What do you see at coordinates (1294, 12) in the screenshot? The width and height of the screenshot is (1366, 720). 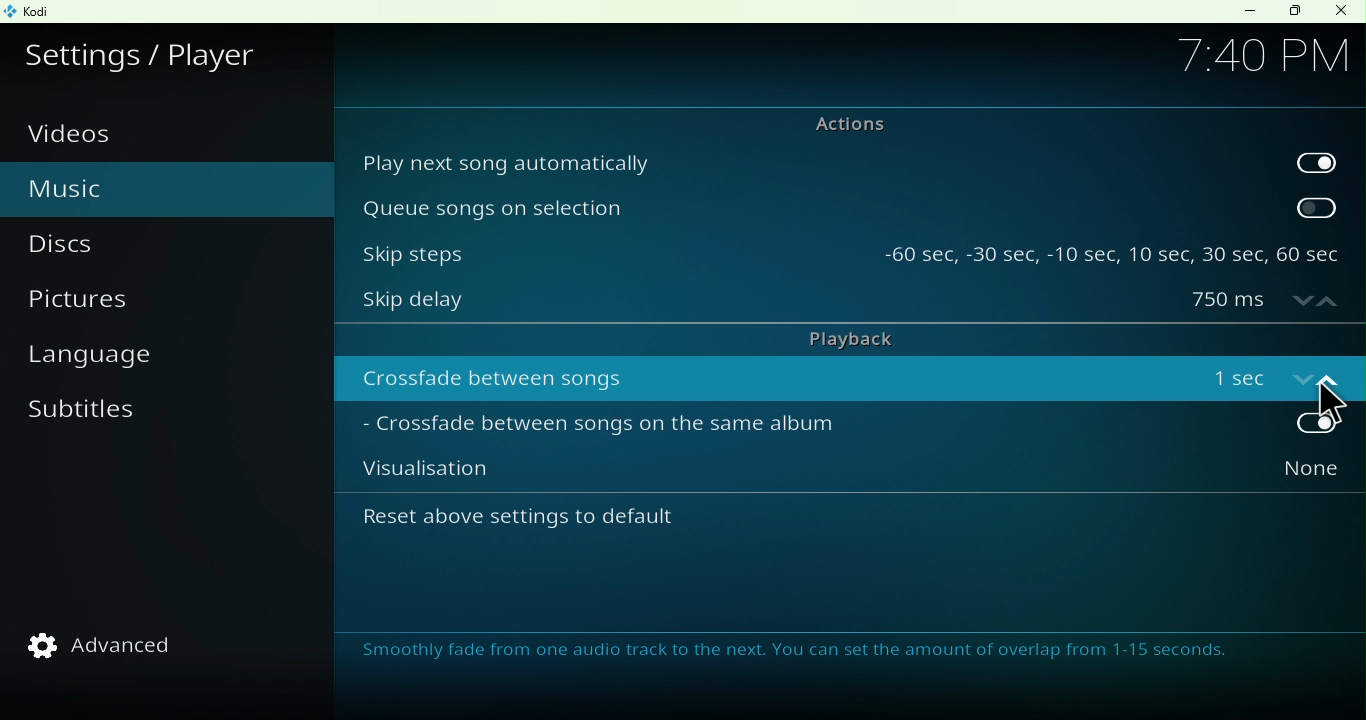 I see `Maximize` at bounding box center [1294, 12].